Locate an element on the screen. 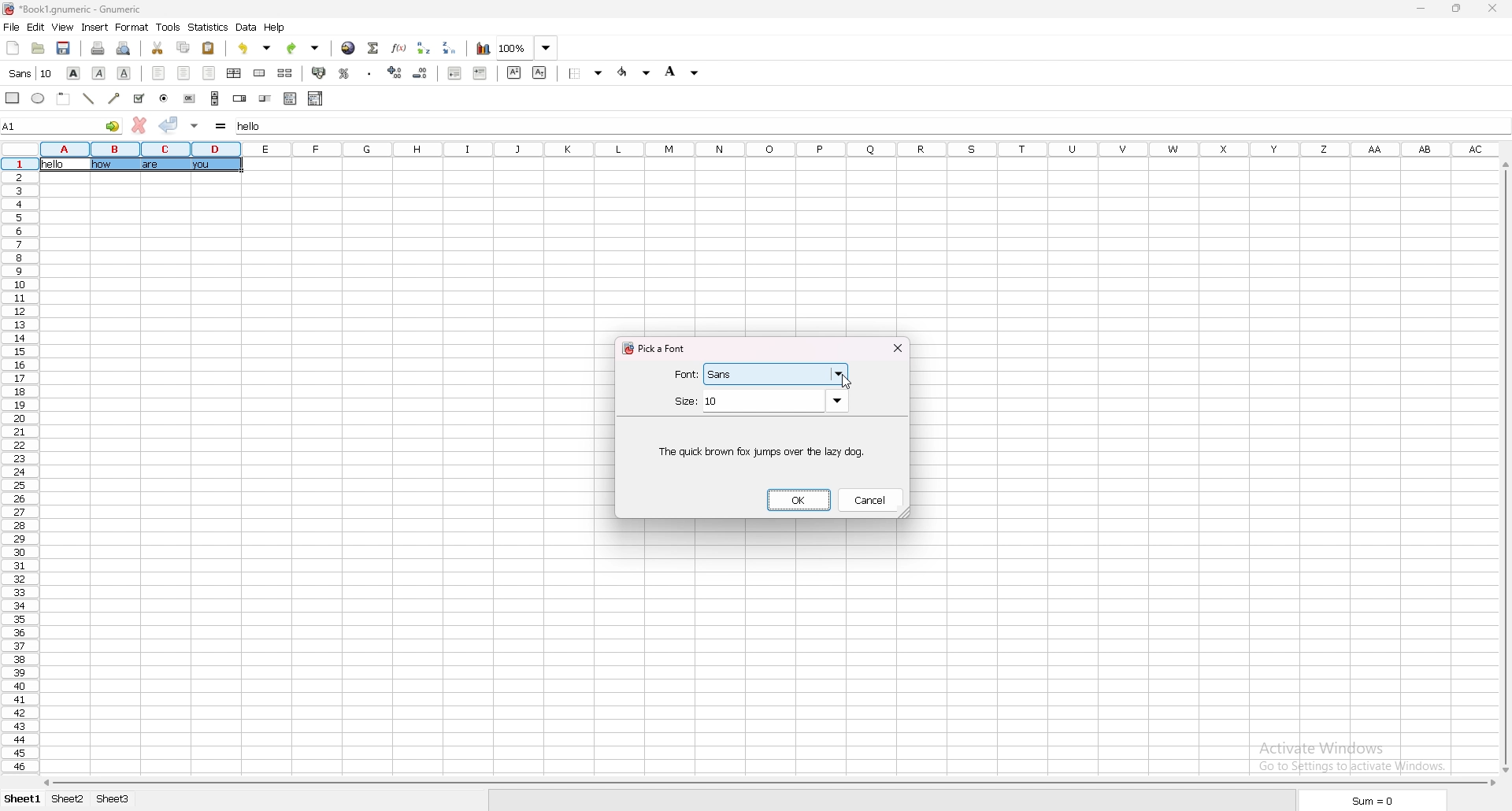  frame is located at coordinates (63, 98).